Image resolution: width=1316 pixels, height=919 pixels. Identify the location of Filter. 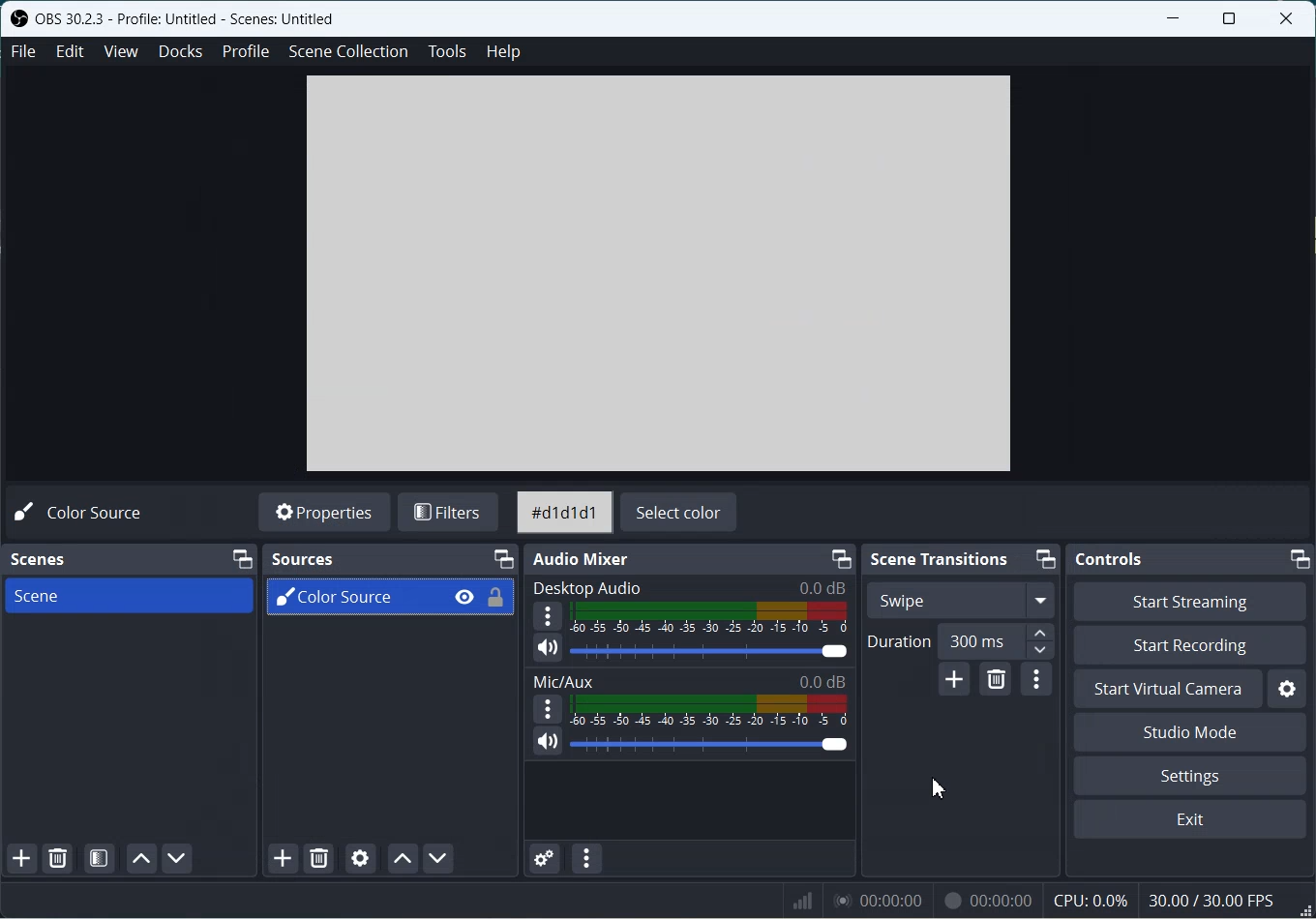
(449, 513).